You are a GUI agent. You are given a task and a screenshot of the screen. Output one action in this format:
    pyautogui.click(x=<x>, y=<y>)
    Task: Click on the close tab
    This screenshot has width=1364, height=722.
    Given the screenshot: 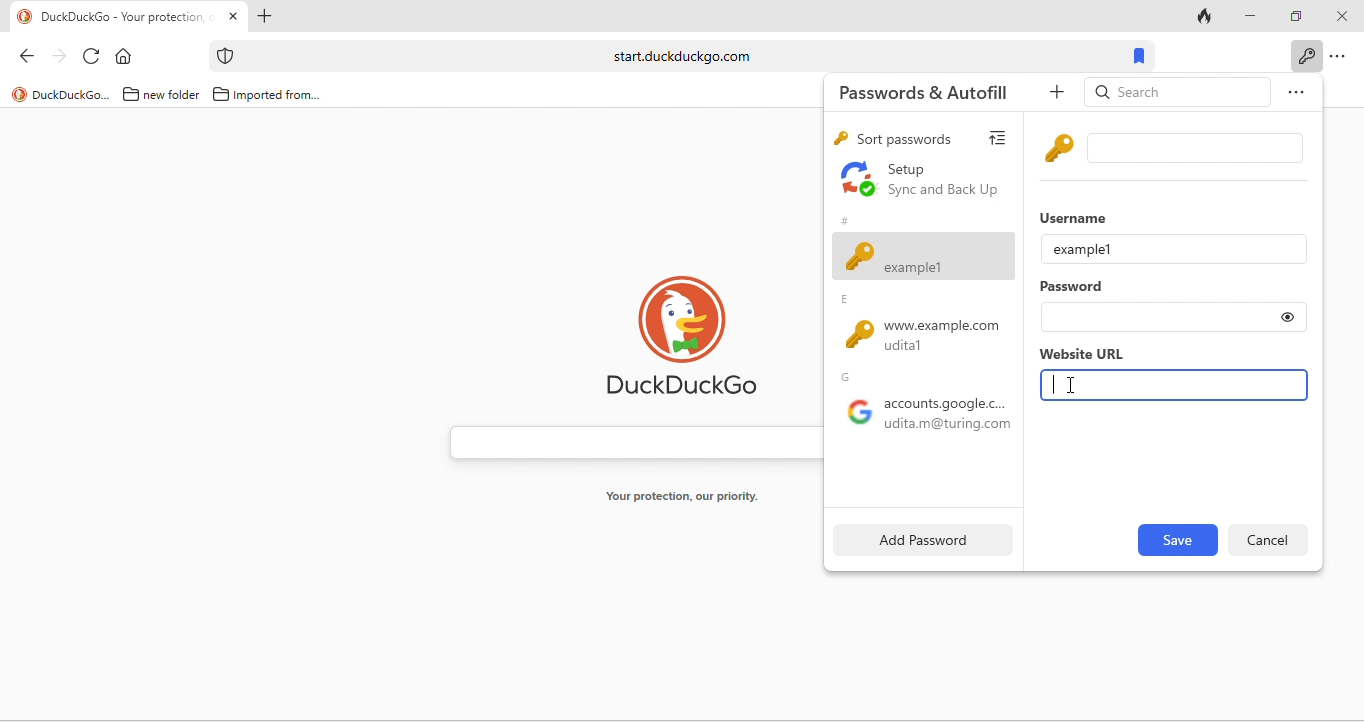 What is the action you would take?
    pyautogui.click(x=233, y=17)
    